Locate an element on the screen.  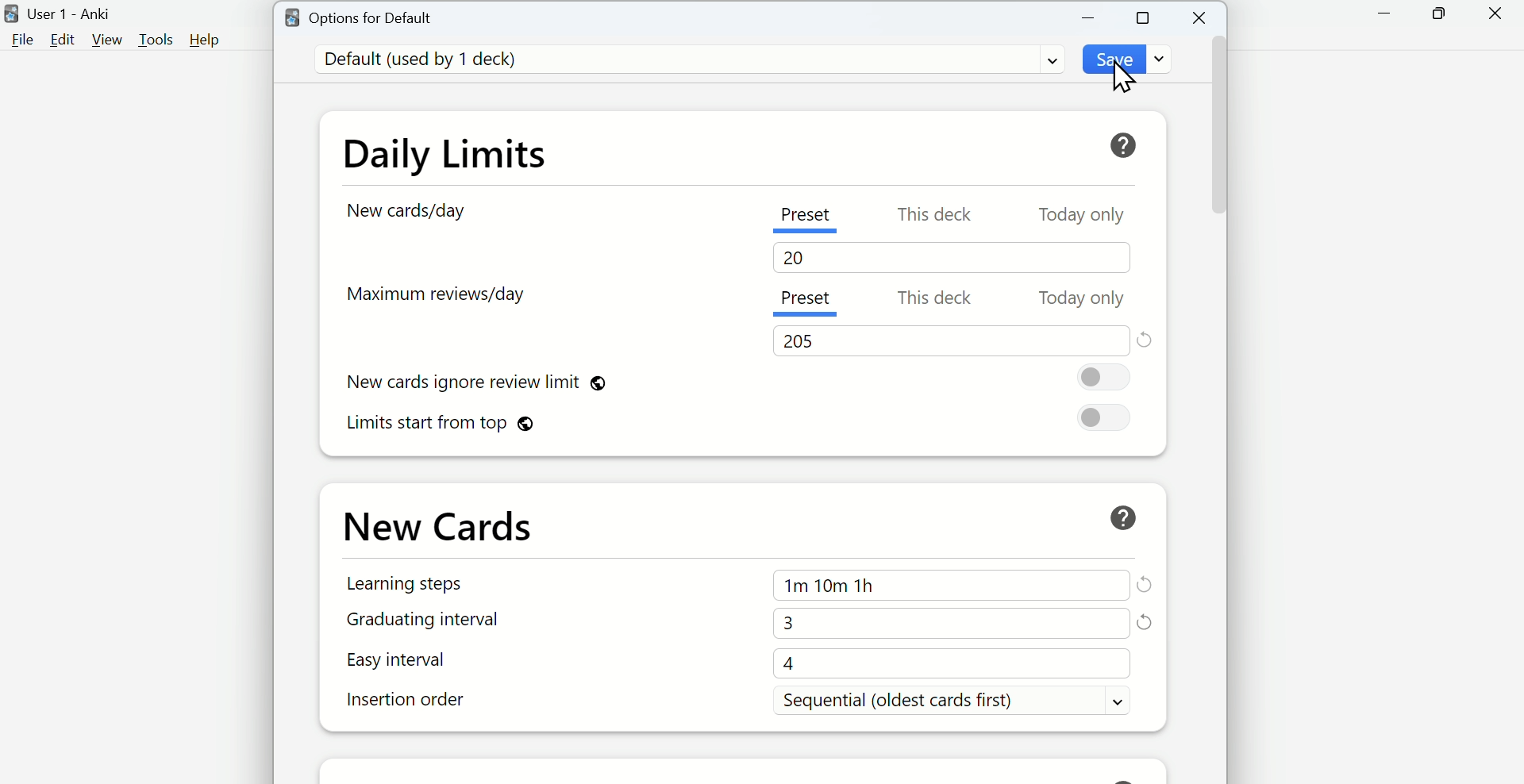
4 is located at coordinates (956, 659).